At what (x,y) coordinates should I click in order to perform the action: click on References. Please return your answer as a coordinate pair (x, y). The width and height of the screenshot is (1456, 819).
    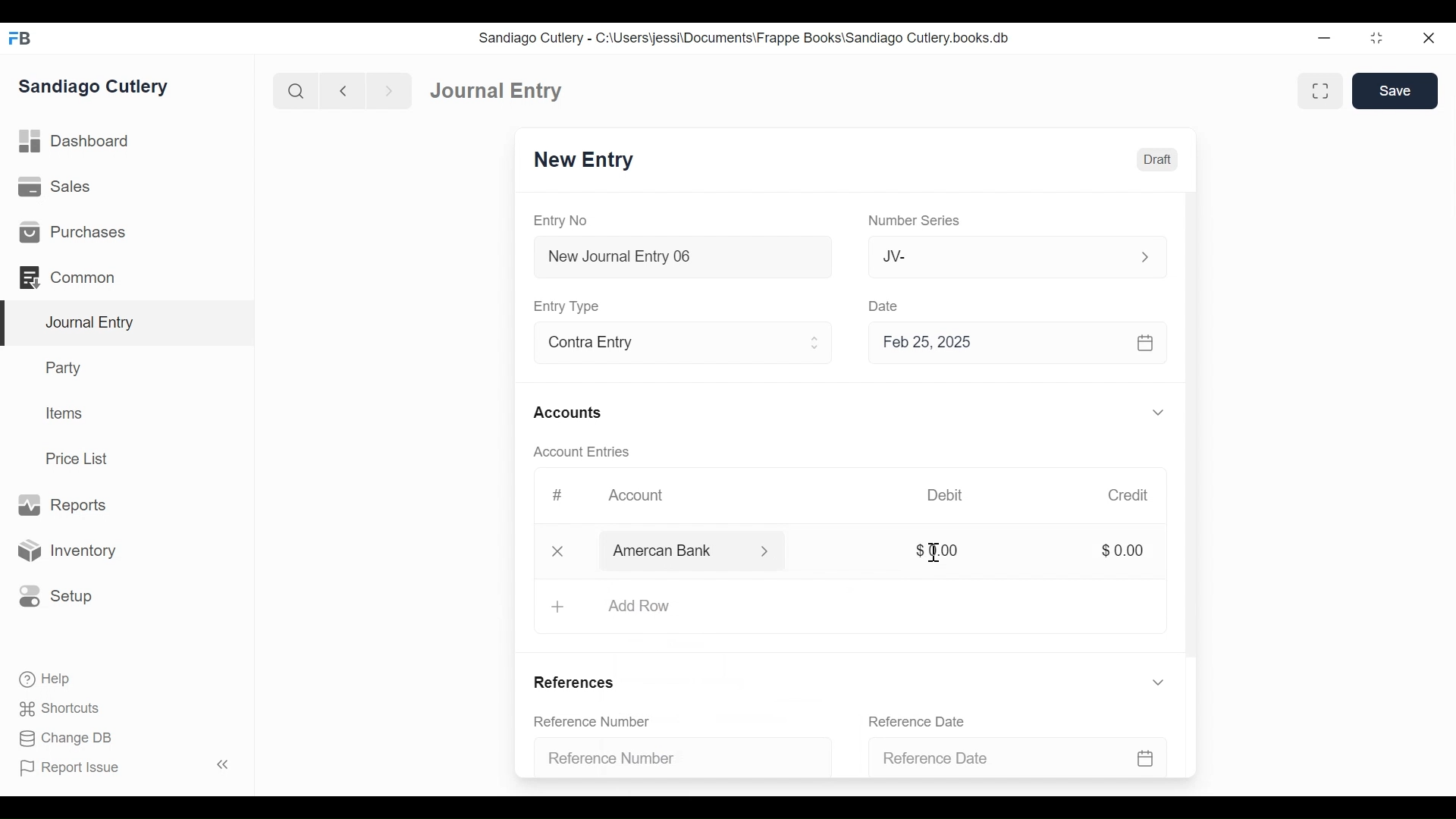
    Looking at the image, I should click on (580, 683).